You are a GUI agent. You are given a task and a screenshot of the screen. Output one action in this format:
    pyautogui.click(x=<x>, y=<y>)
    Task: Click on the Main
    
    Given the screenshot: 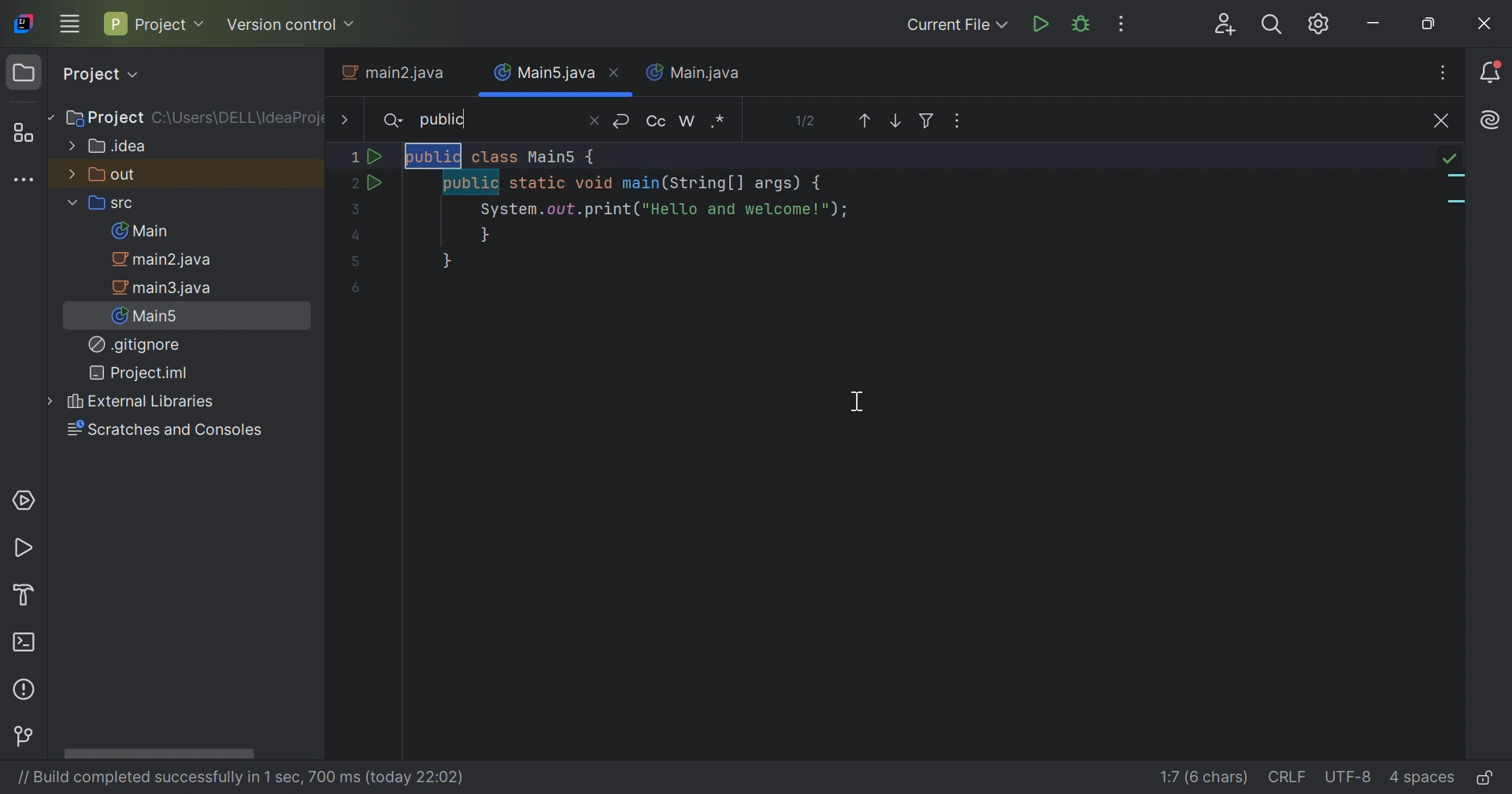 What is the action you would take?
    pyautogui.click(x=145, y=231)
    